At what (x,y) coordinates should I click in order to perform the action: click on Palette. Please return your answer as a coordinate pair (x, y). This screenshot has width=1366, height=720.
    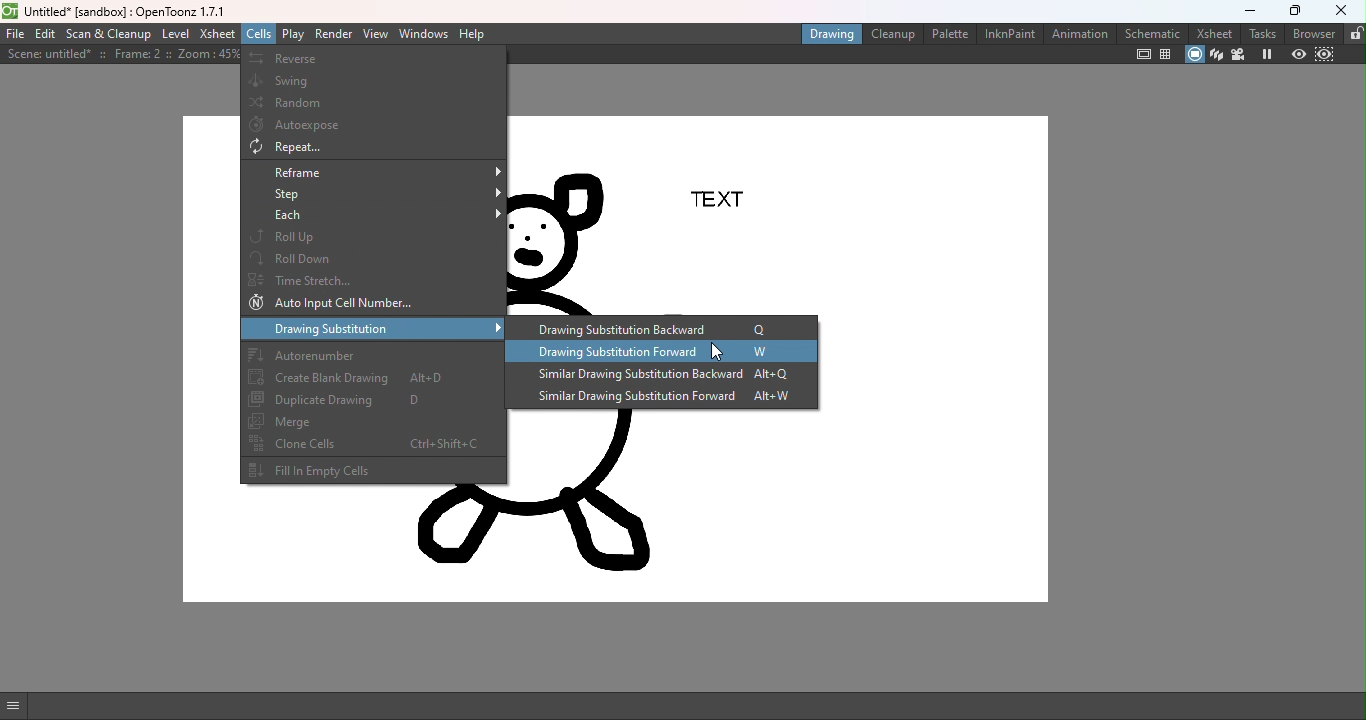
    Looking at the image, I should click on (949, 35).